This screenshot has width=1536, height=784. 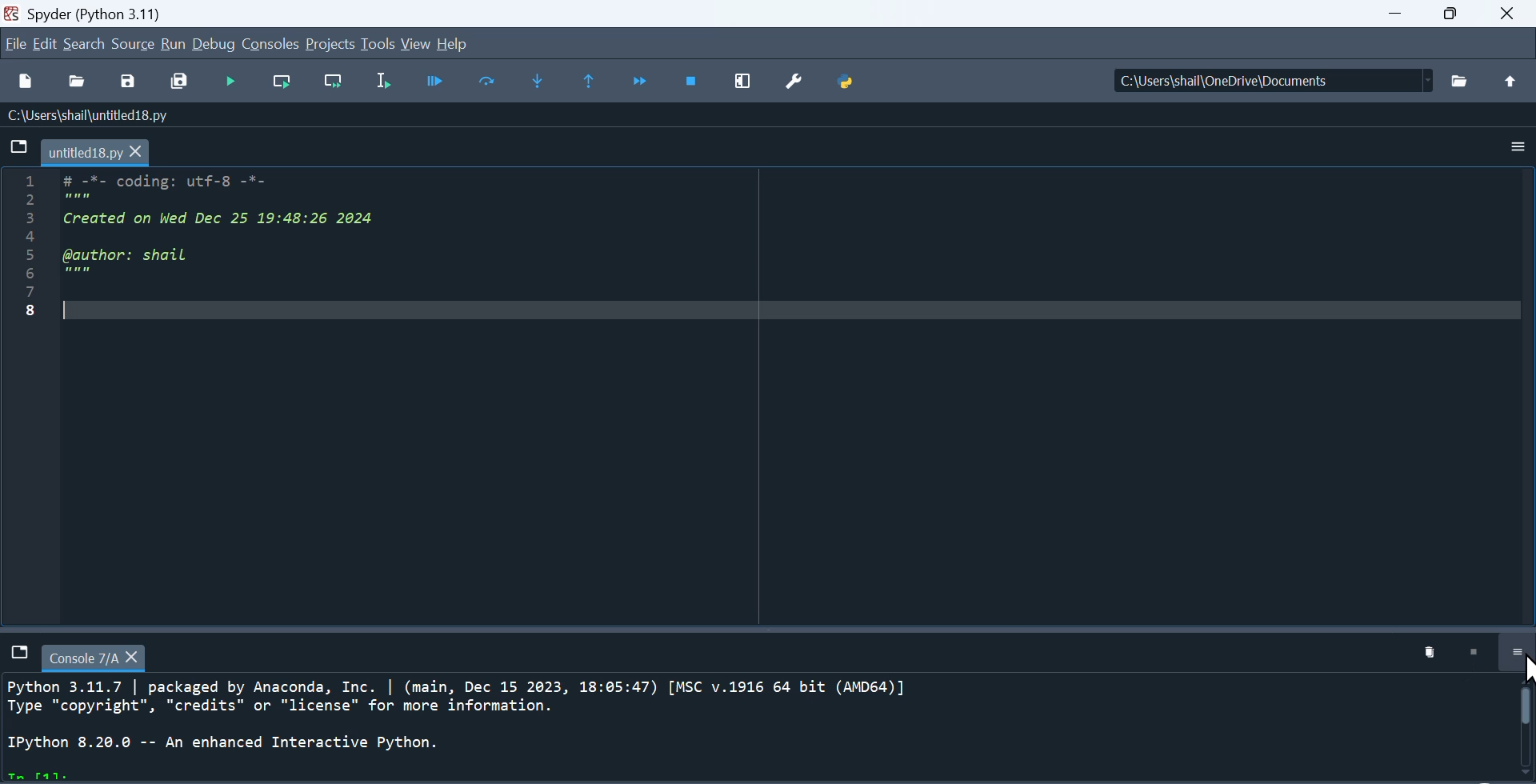 I want to click on scroll bar, so click(x=1526, y=731).